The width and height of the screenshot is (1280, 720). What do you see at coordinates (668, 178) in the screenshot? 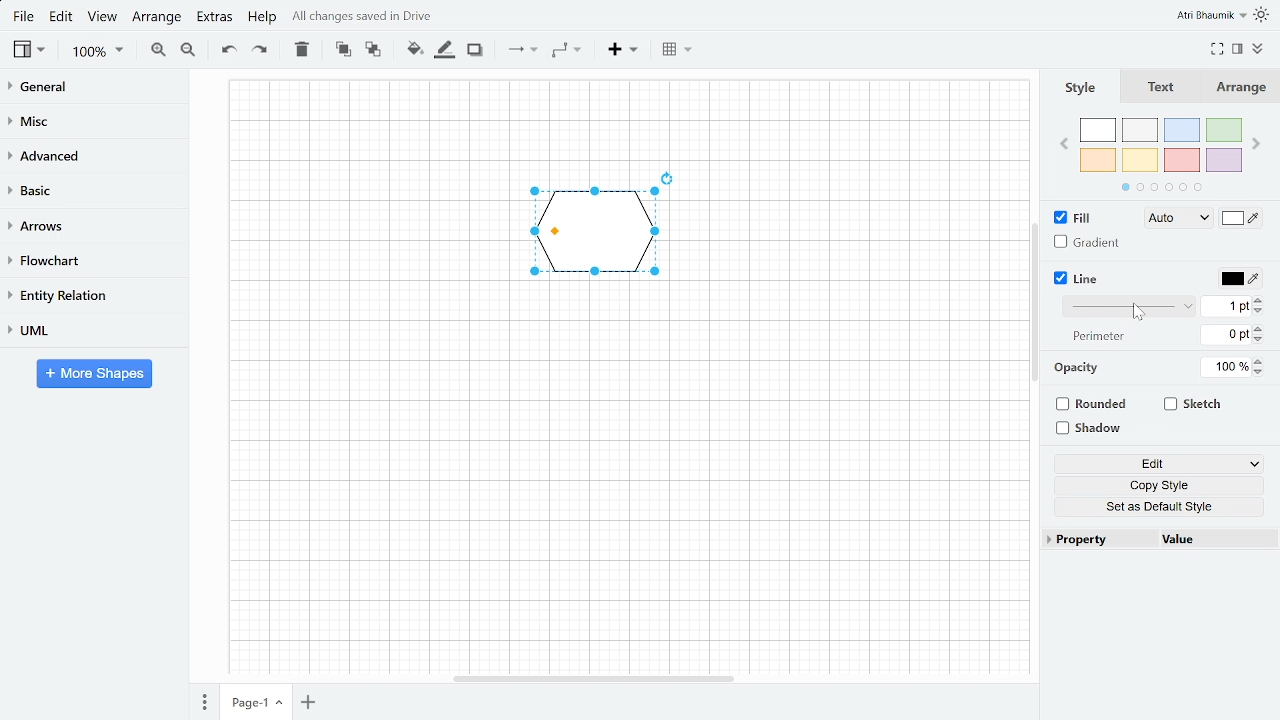
I see `Rotate` at bounding box center [668, 178].